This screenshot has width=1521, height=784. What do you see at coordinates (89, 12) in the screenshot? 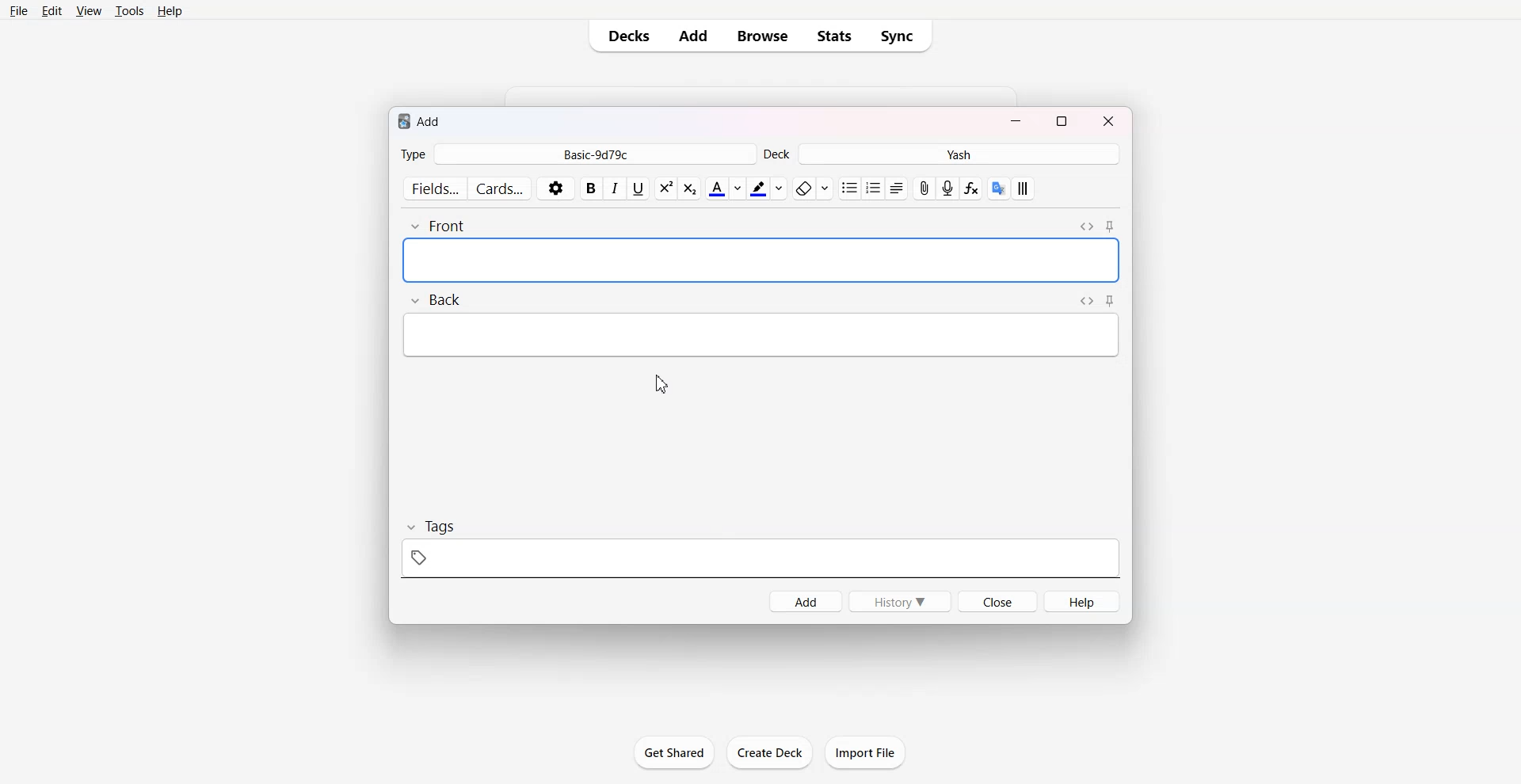
I see `View` at bounding box center [89, 12].